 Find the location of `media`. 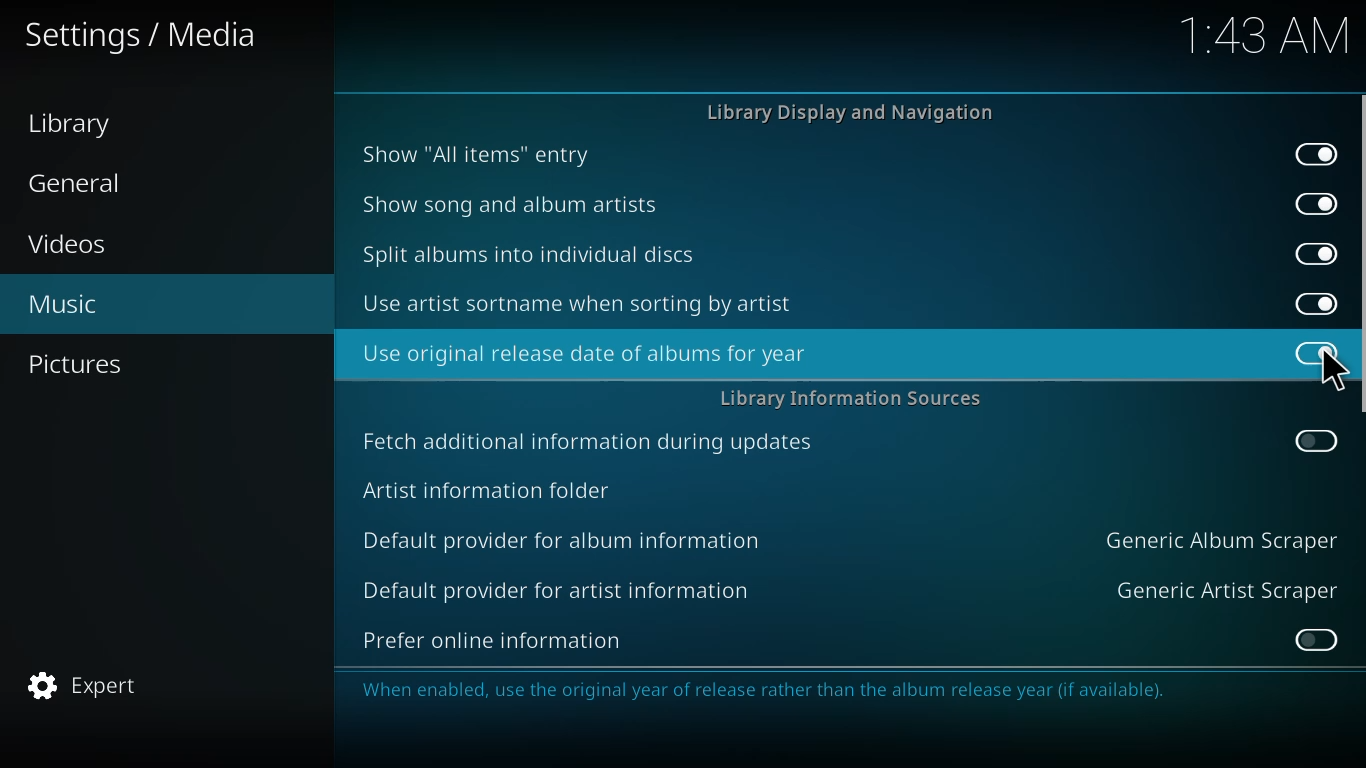

media is located at coordinates (140, 35).